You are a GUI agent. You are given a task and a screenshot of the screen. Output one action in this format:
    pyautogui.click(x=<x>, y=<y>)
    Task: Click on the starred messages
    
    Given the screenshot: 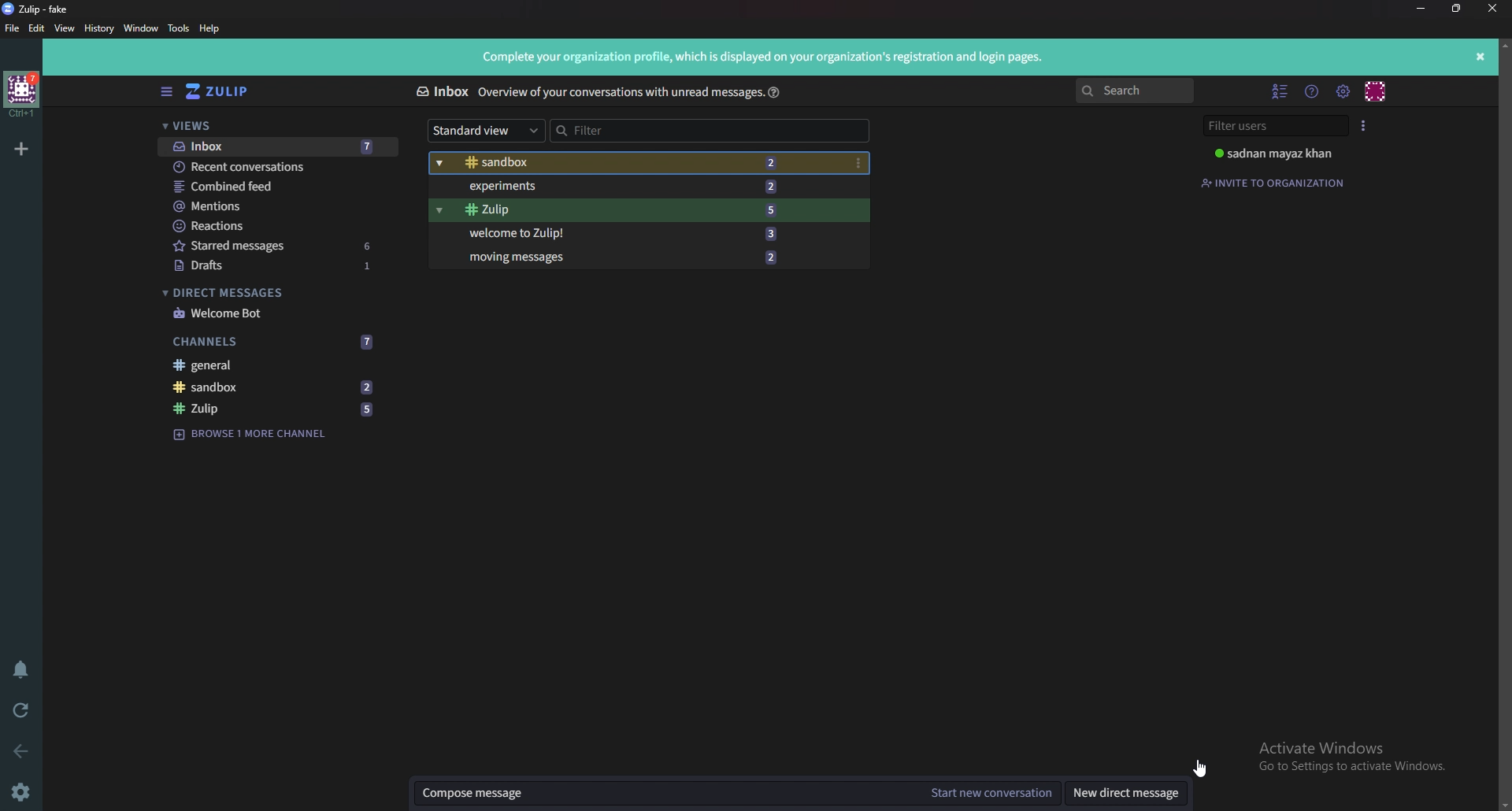 What is the action you would take?
    pyautogui.click(x=281, y=246)
    